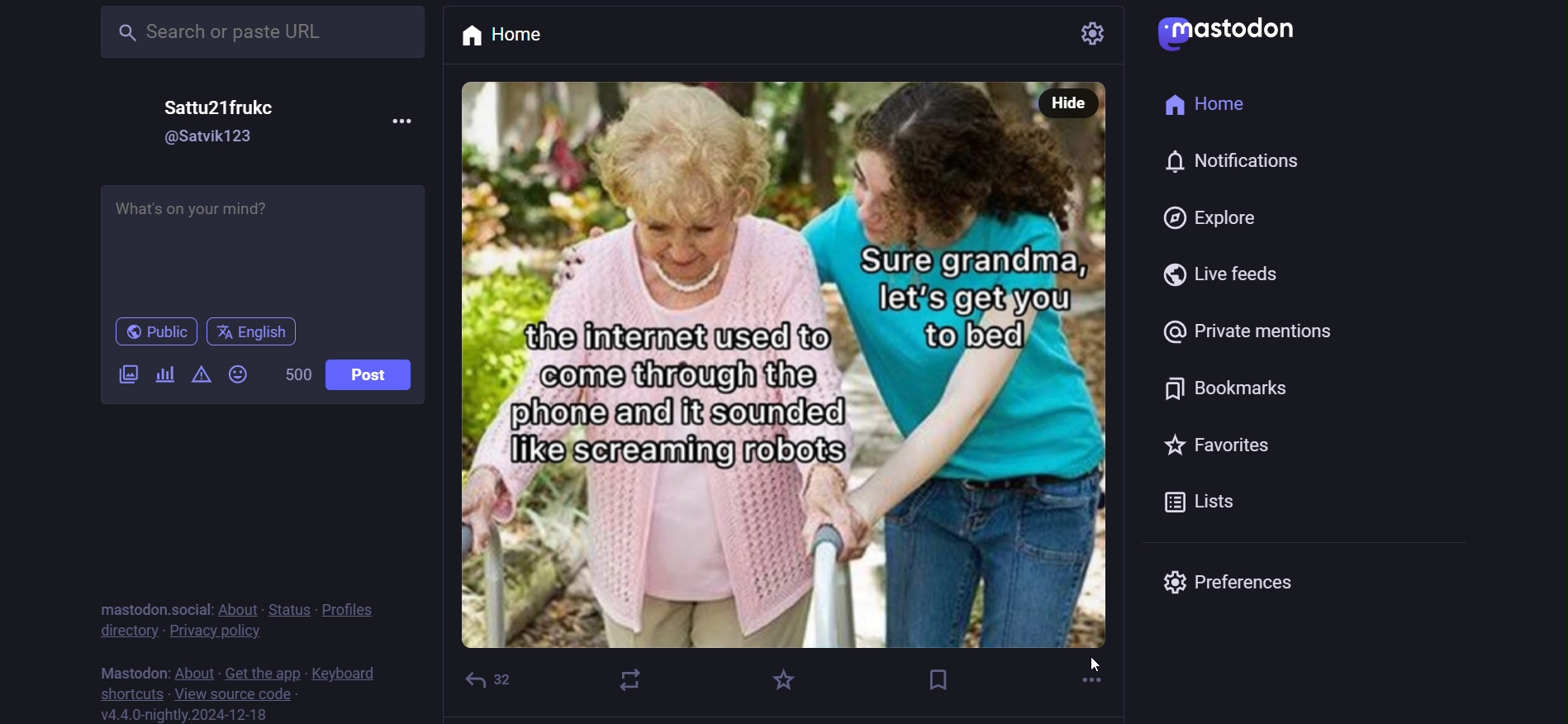 This screenshot has height=724, width=1568. I want to click on post, so click(378, 372).